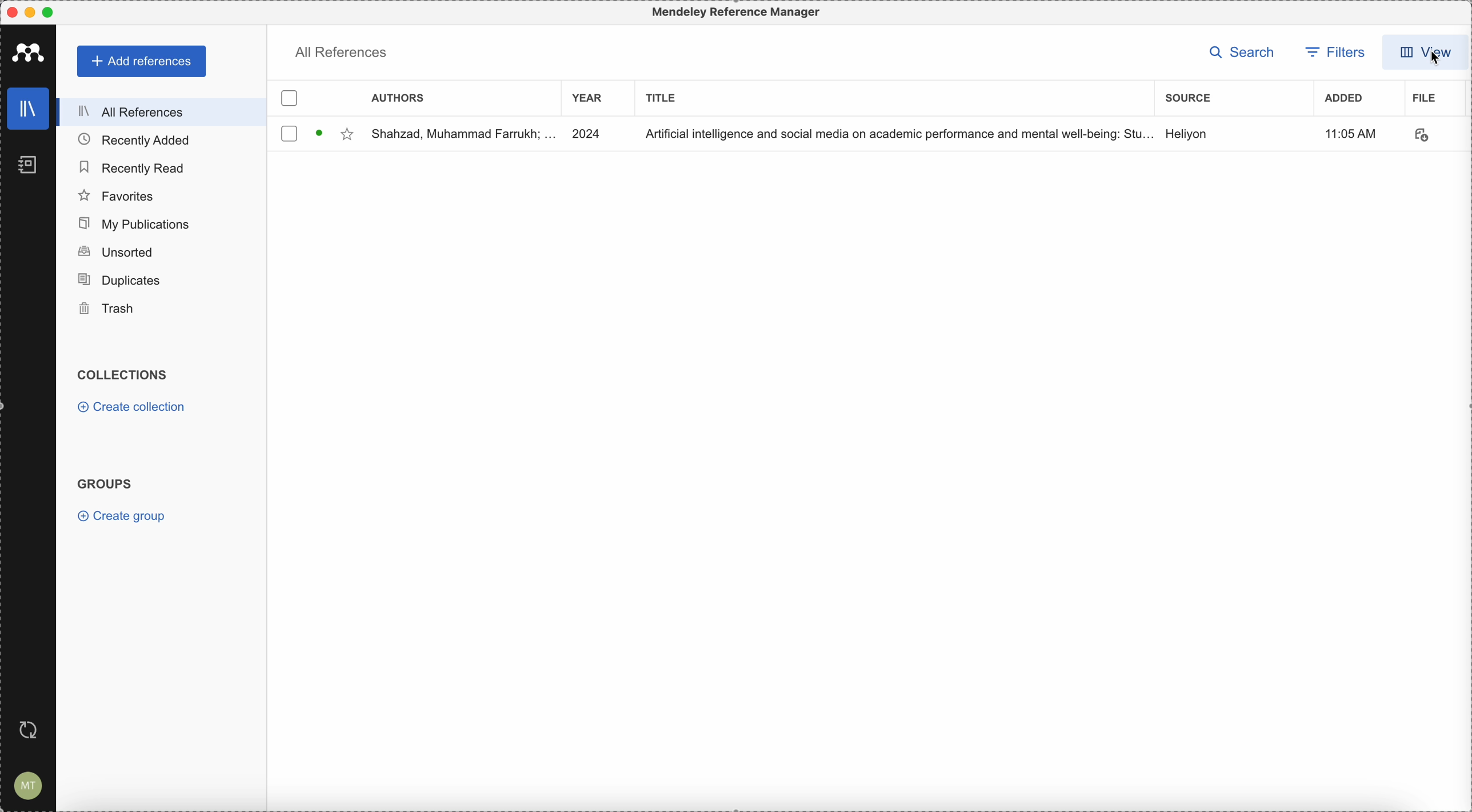  Describe the element at coordinates (733, 11) in the screenshot. I see `Mendeley Reference Manager` at that location.